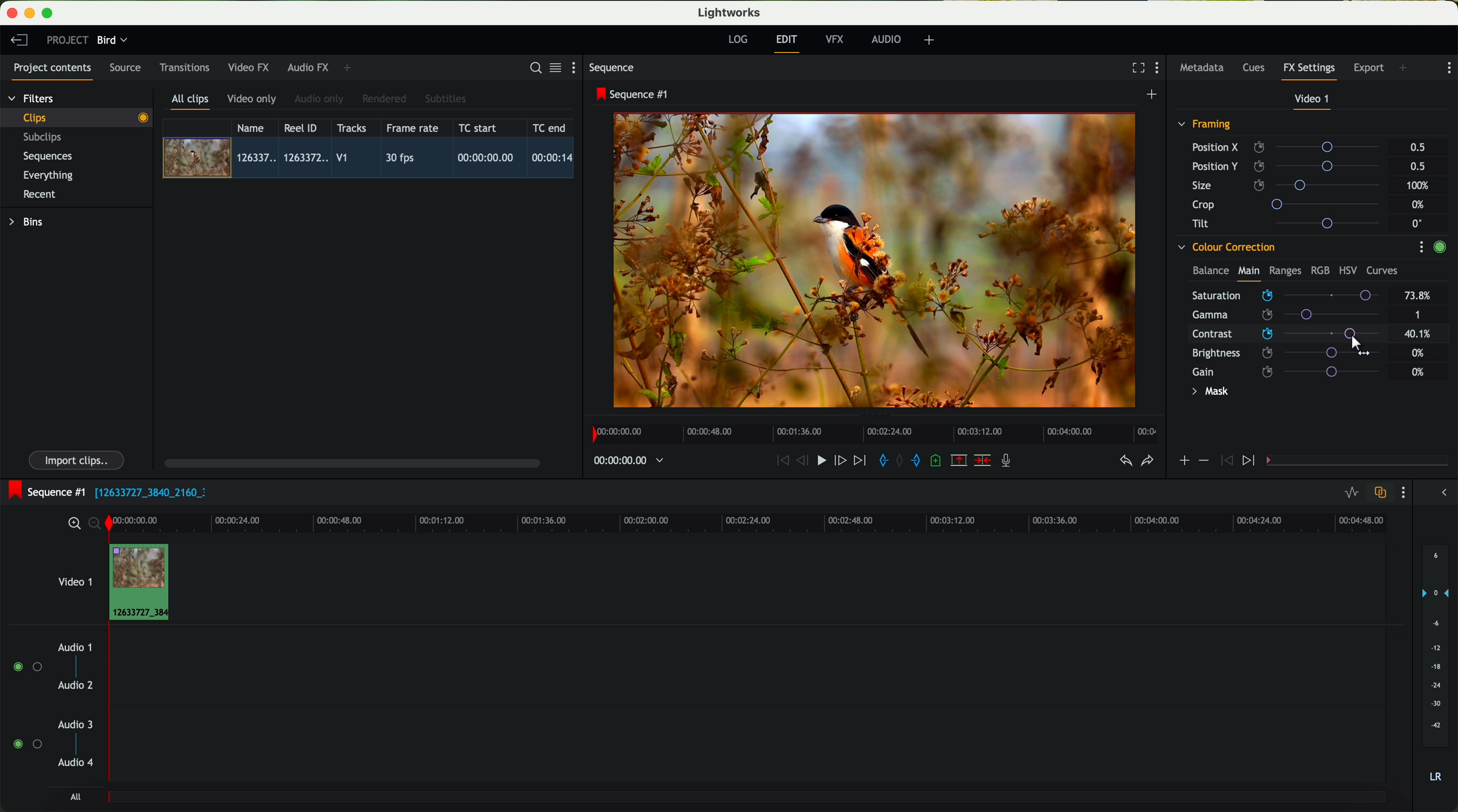 This screenshot has height=812, width=1458. I want to click on scroll bar, so click(351, 462).